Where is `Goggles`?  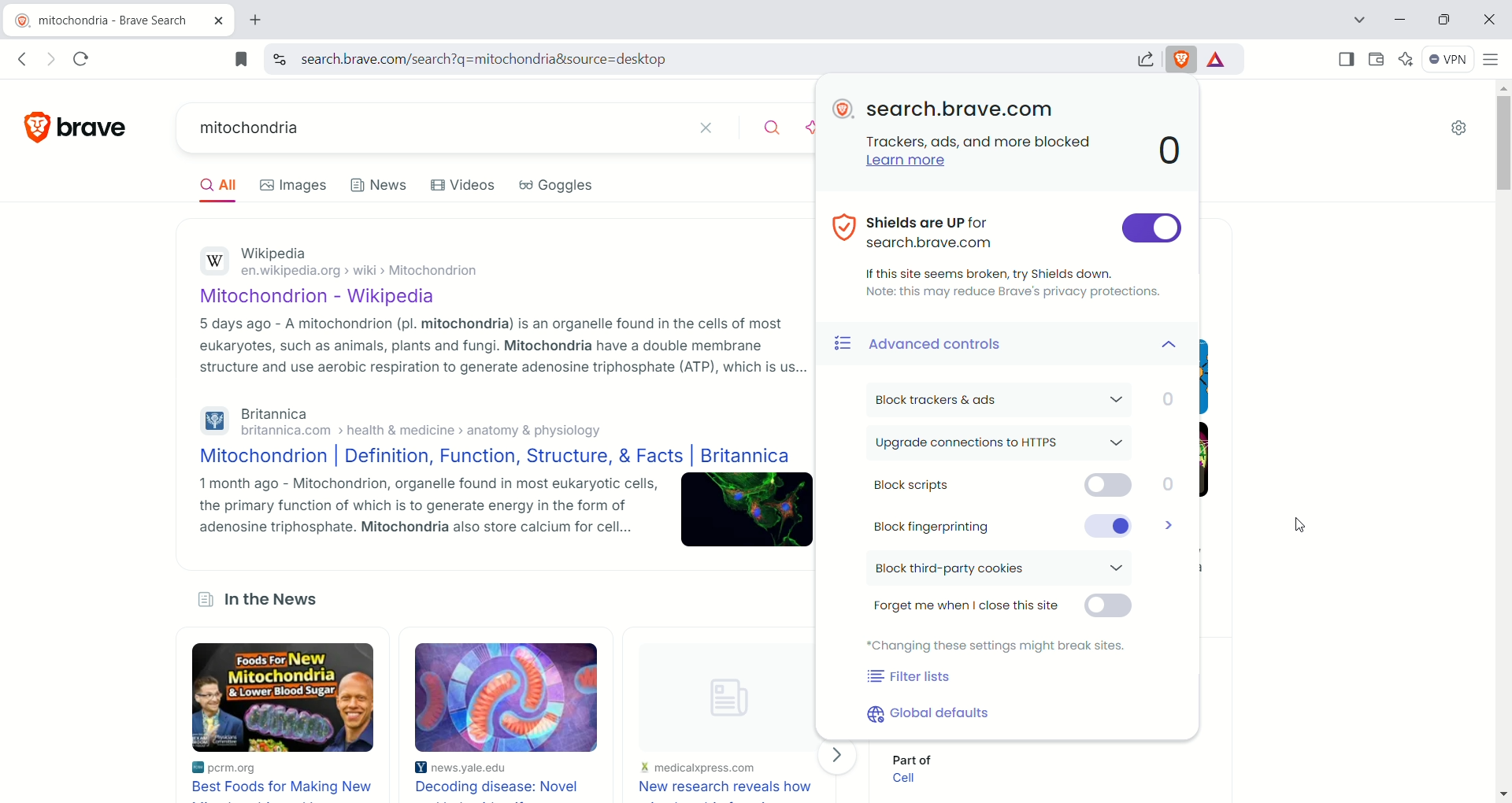
Goggles is located at coordinates (558, 186).